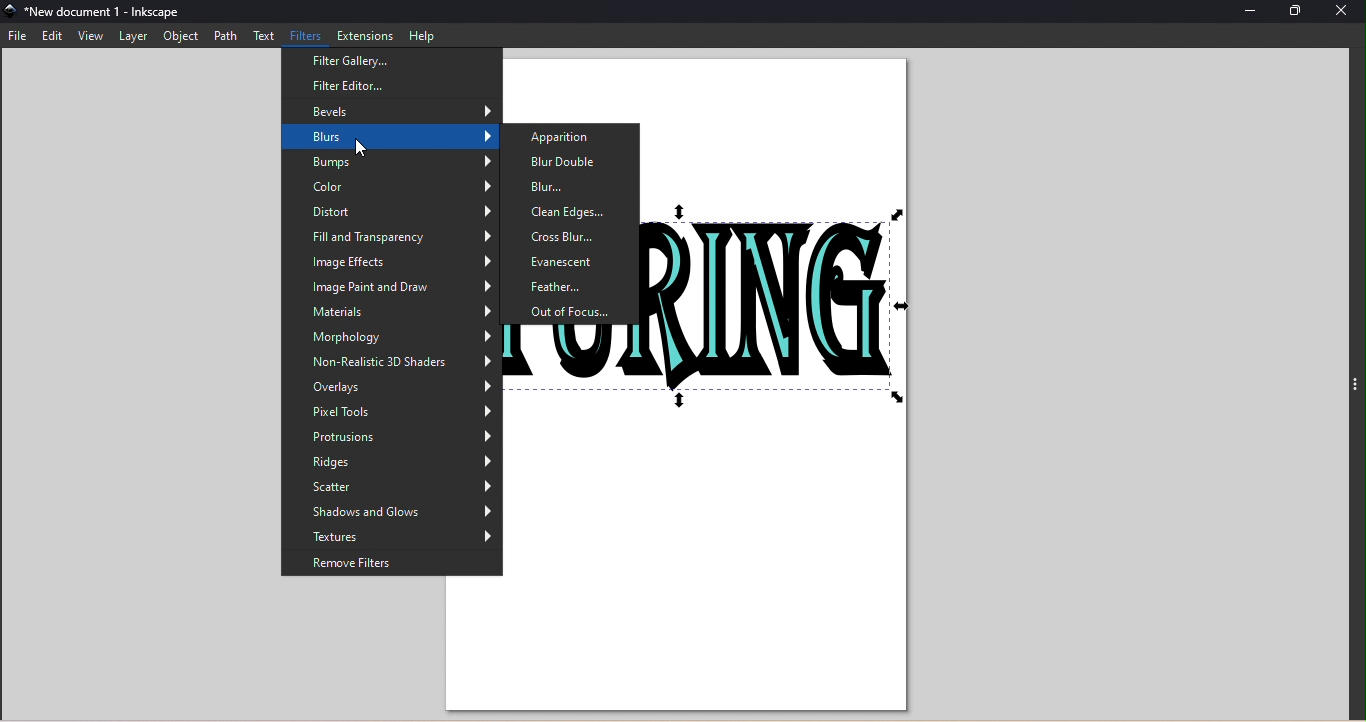 The image size is (1366, 722). What do you see at coordinates (393, 159) in the screenshot?
I see `Bumps` at bounding box center [393, 159].